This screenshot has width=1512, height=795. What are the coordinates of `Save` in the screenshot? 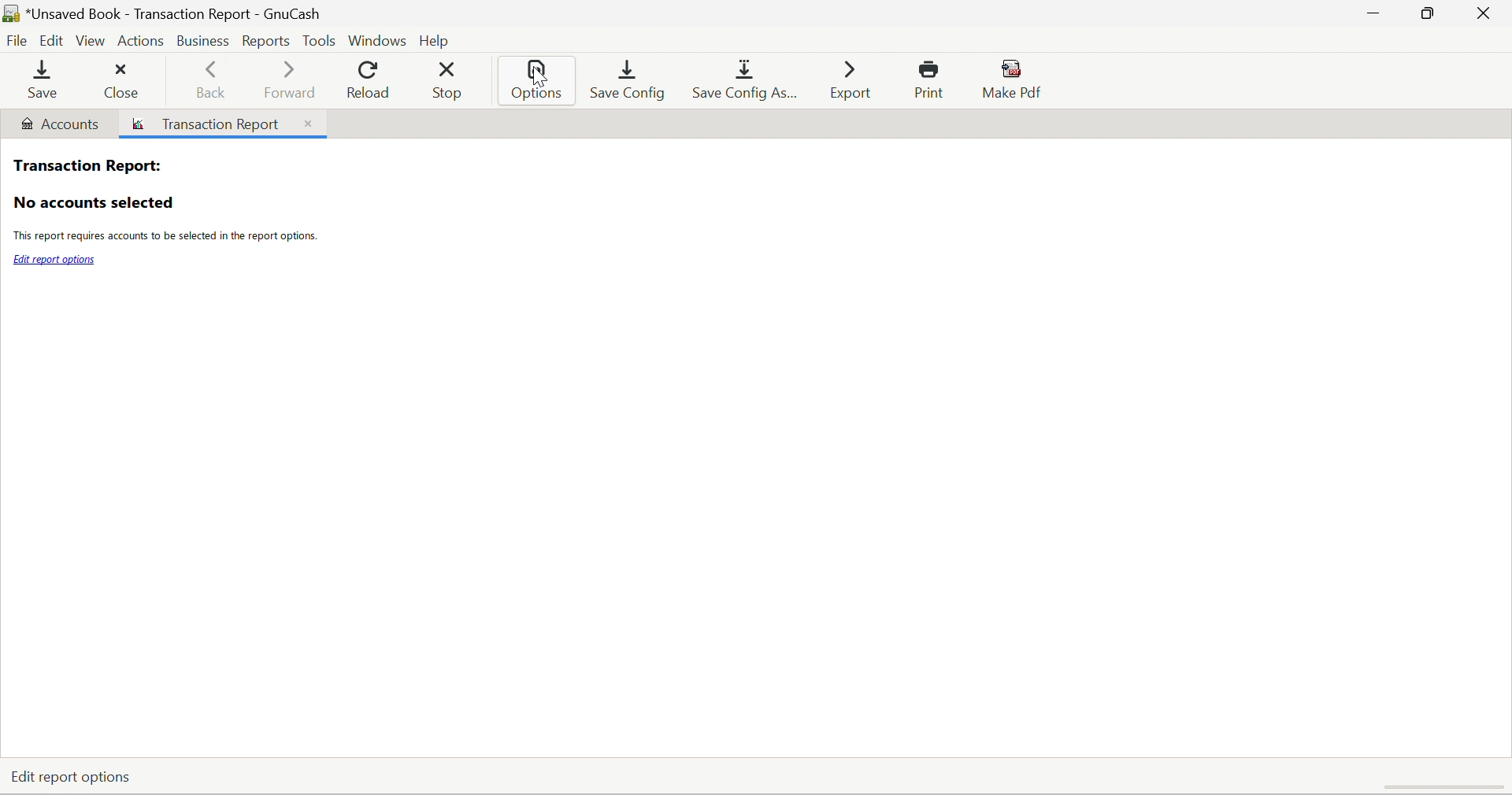 It's located at (39, 82).